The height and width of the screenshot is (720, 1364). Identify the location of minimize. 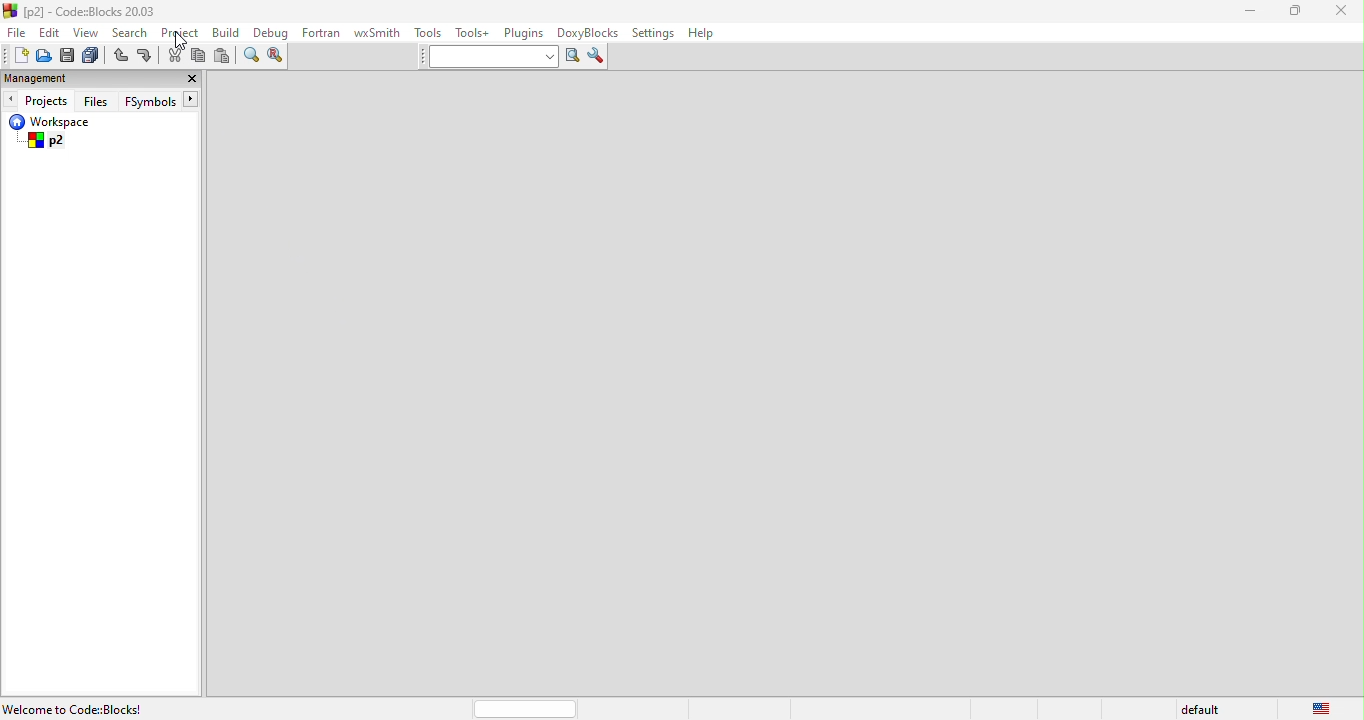
(1250, 13).